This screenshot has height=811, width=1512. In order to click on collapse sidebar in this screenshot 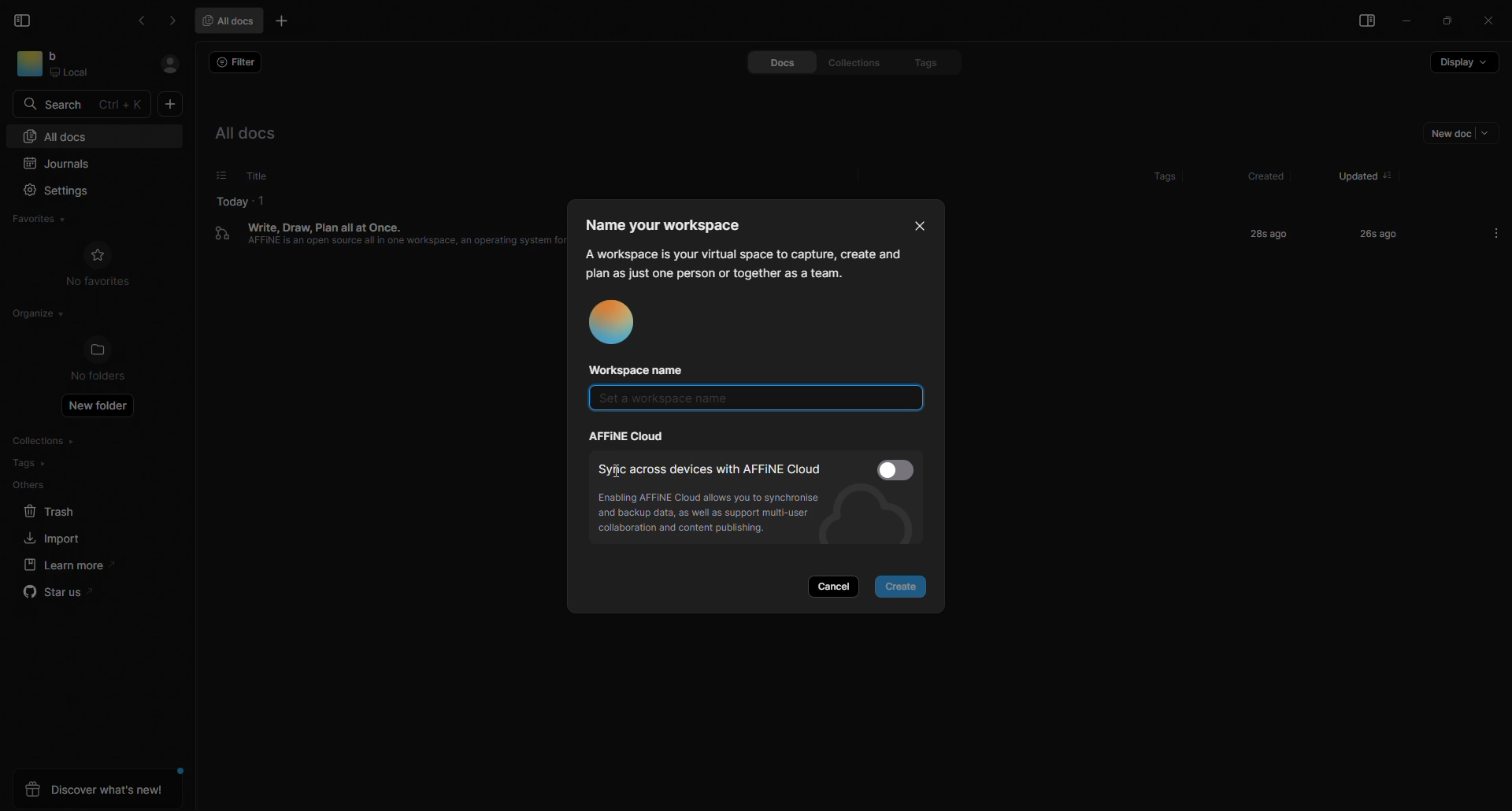, I will do `click(24, 20)`.